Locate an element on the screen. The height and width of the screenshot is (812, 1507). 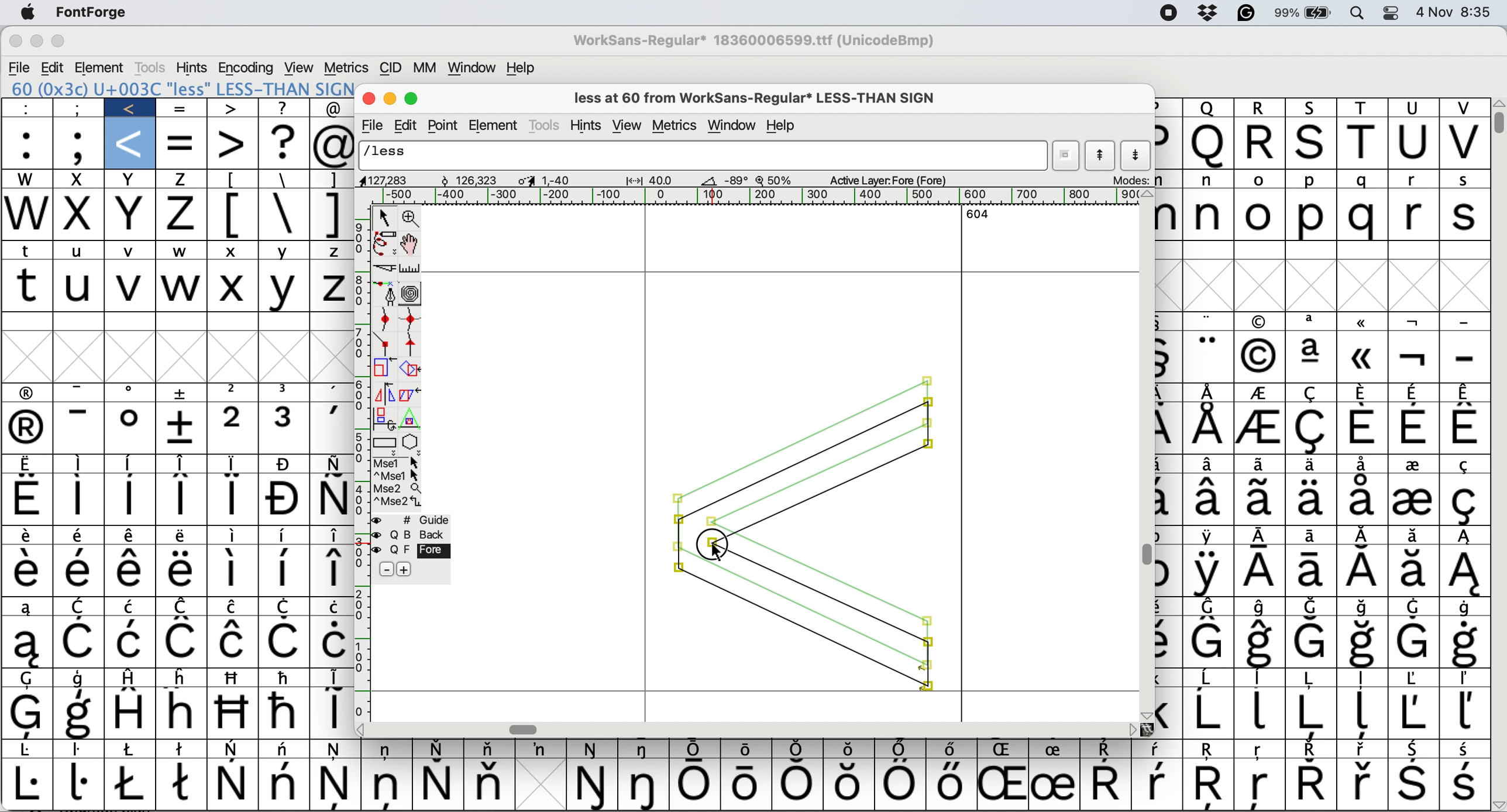
show next letter is located at coordinates (1138, 156).